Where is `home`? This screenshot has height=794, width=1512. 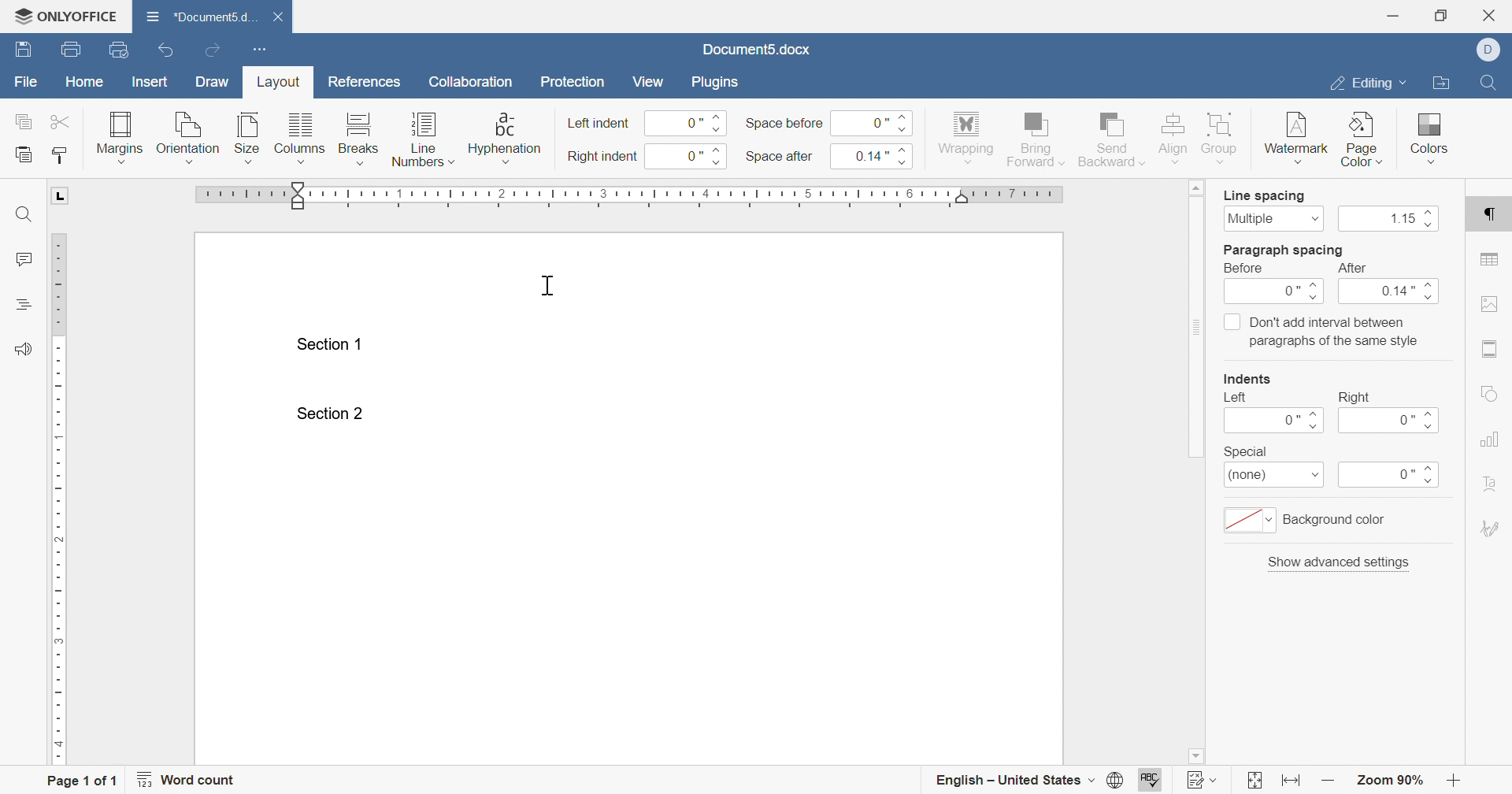
home is located at coordinates (85, 82).